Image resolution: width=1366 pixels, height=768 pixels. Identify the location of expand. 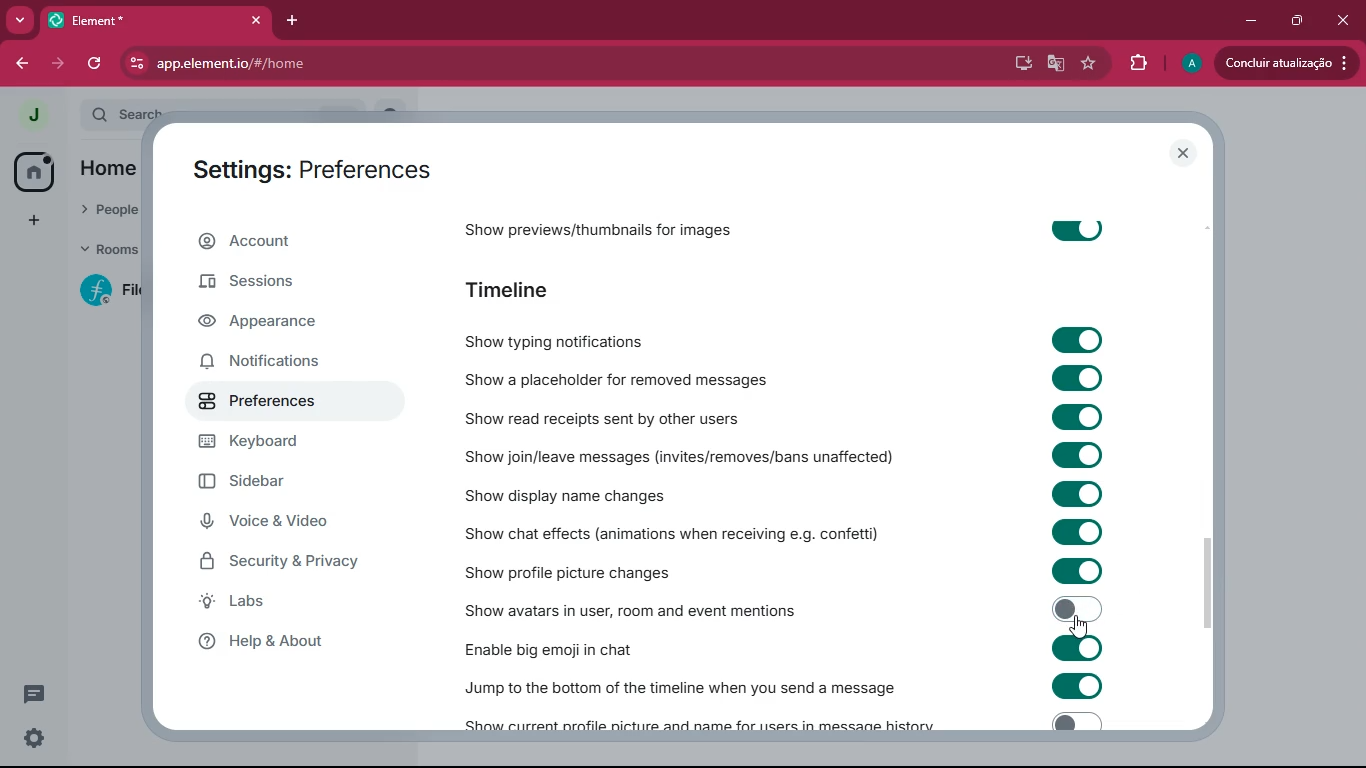
(68, 117).